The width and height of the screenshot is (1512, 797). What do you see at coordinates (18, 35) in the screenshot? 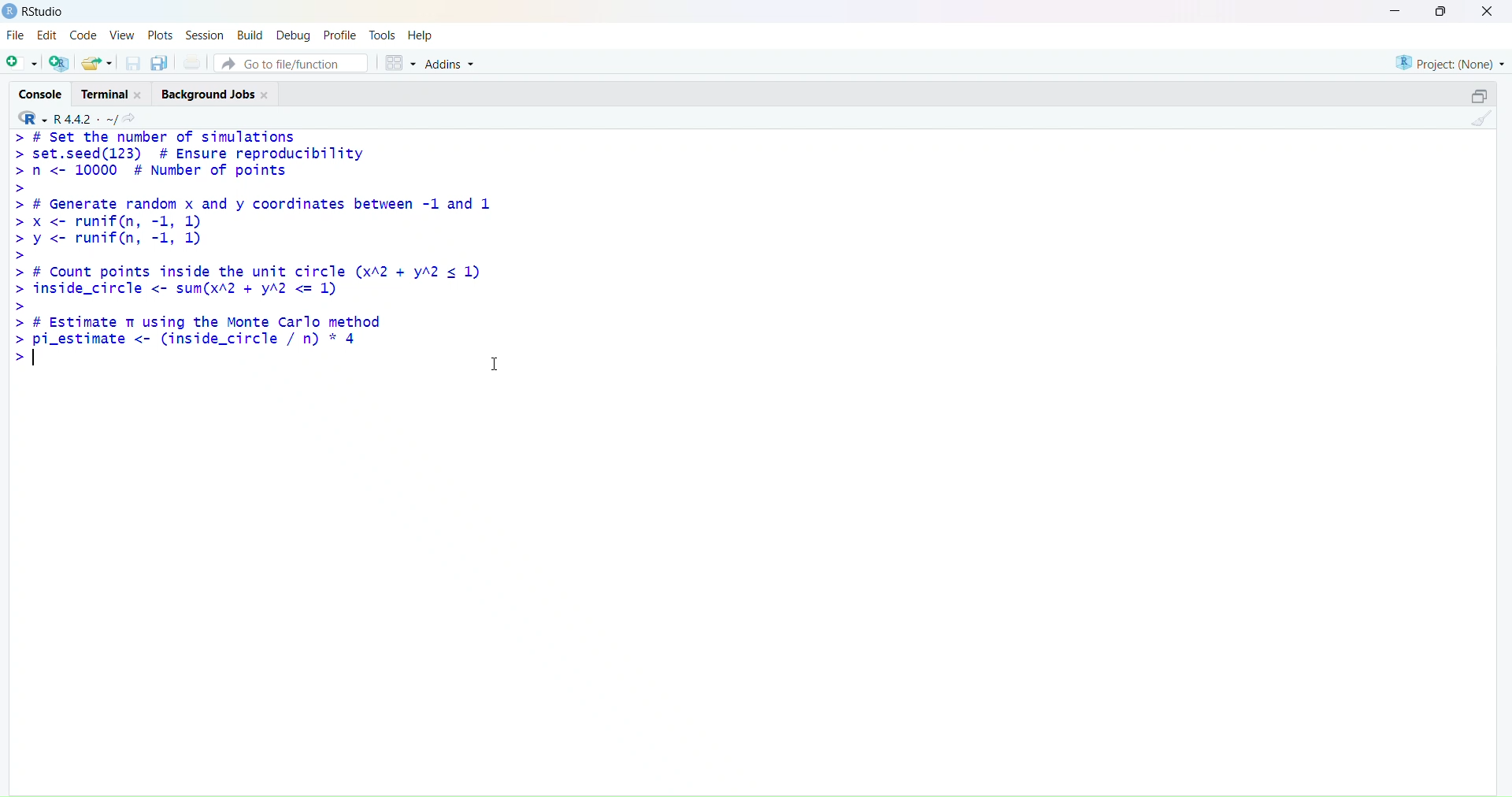
I see `File` at bounding box center [18, 35].